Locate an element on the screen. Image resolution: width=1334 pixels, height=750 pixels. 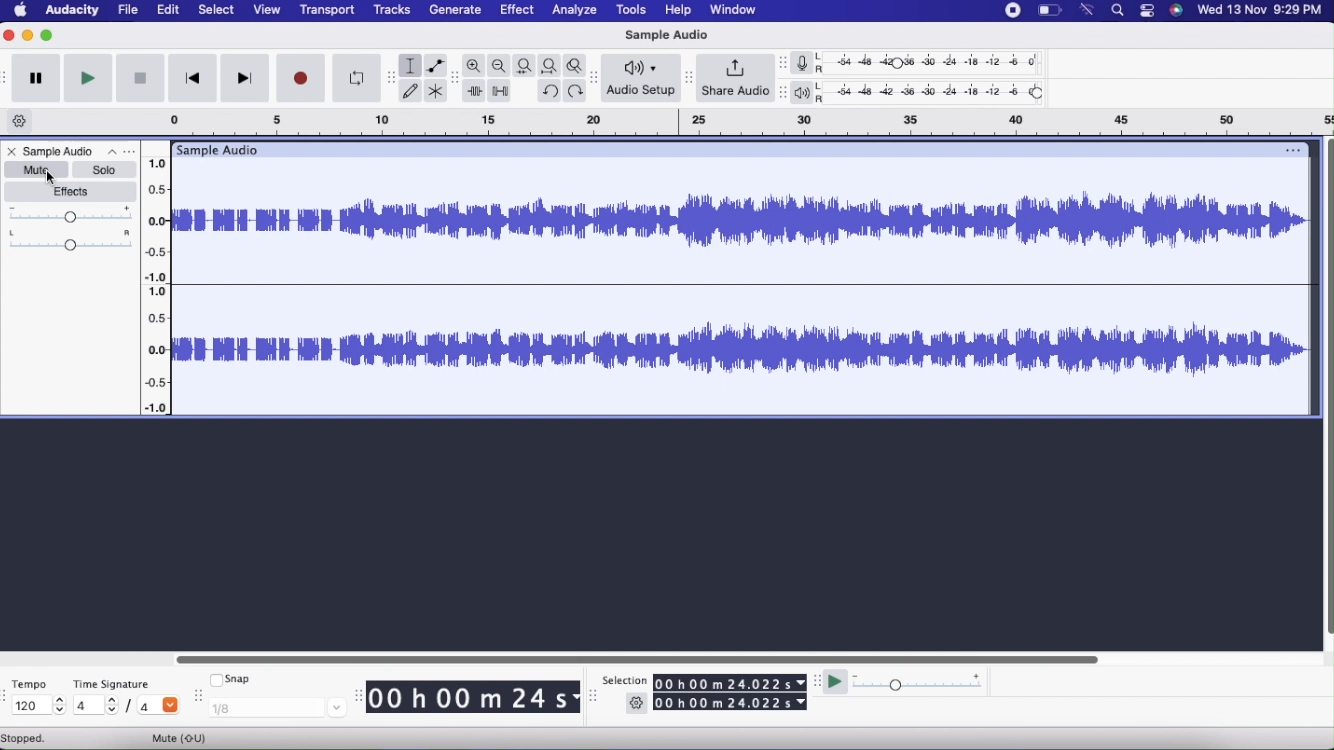
Analyze is located at coordinates (574, 11).